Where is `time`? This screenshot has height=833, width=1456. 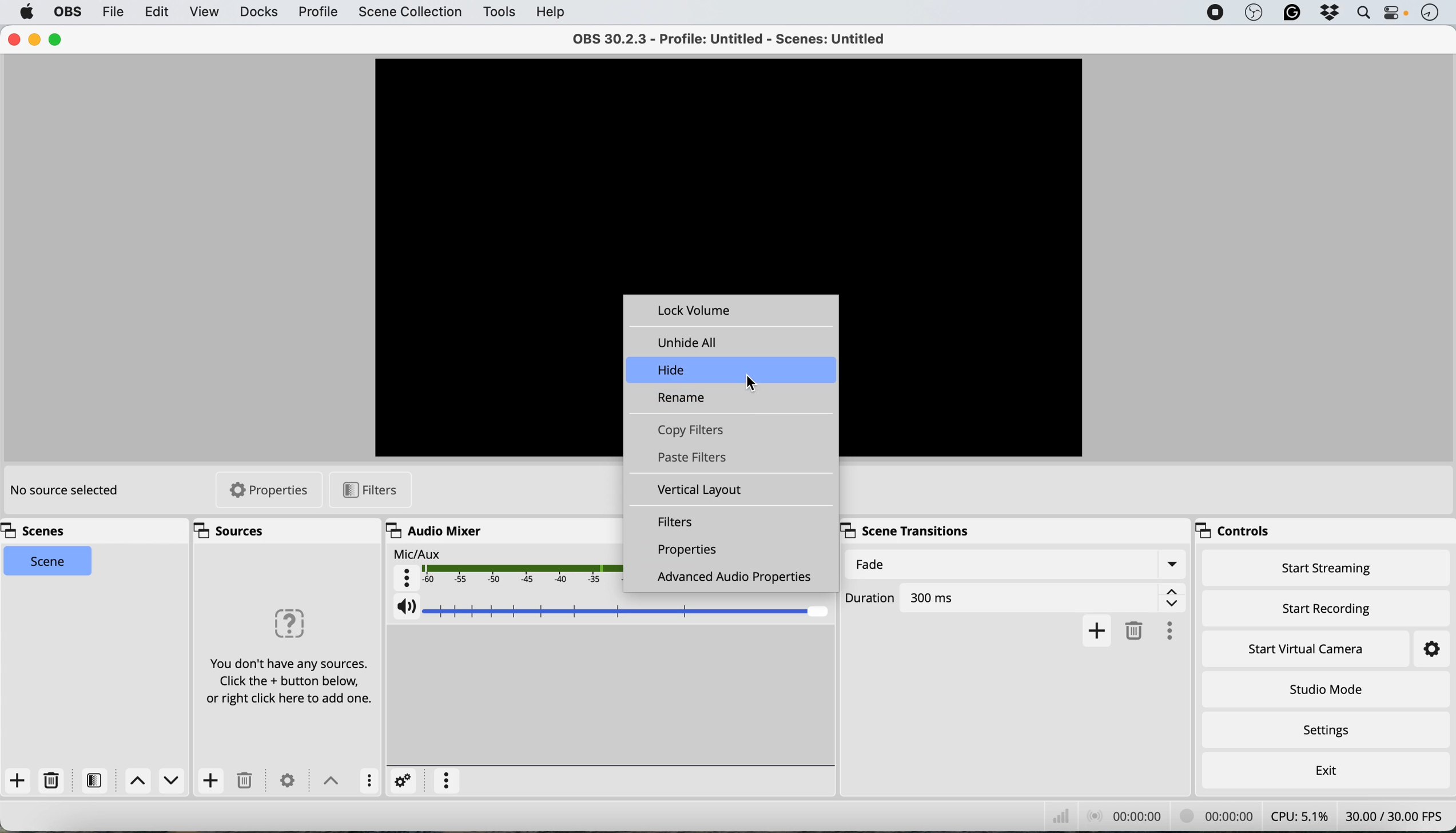
time is located at coordinates (1433, 13).